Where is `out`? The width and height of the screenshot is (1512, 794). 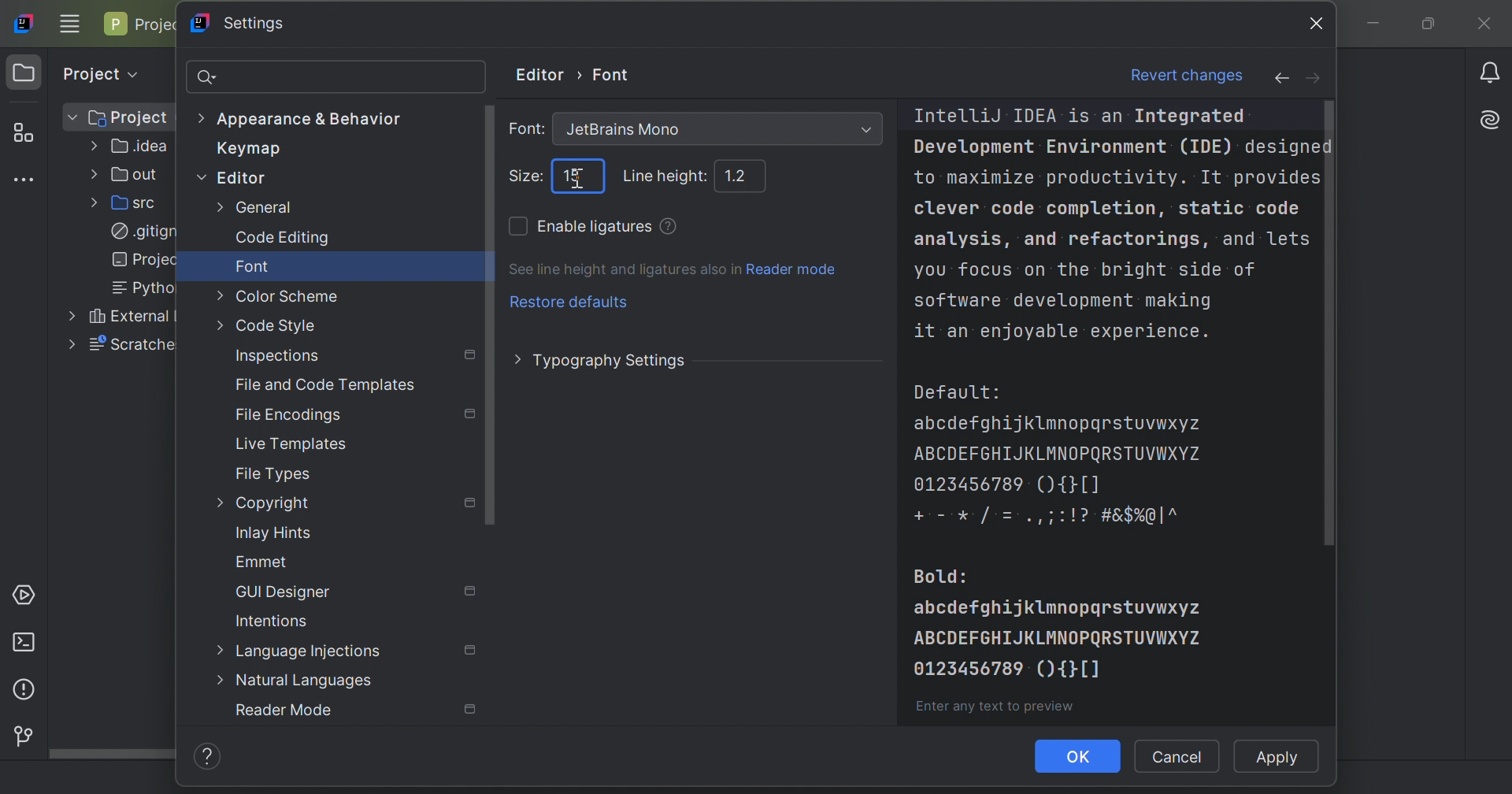 out is located at coordinates (128, 175).